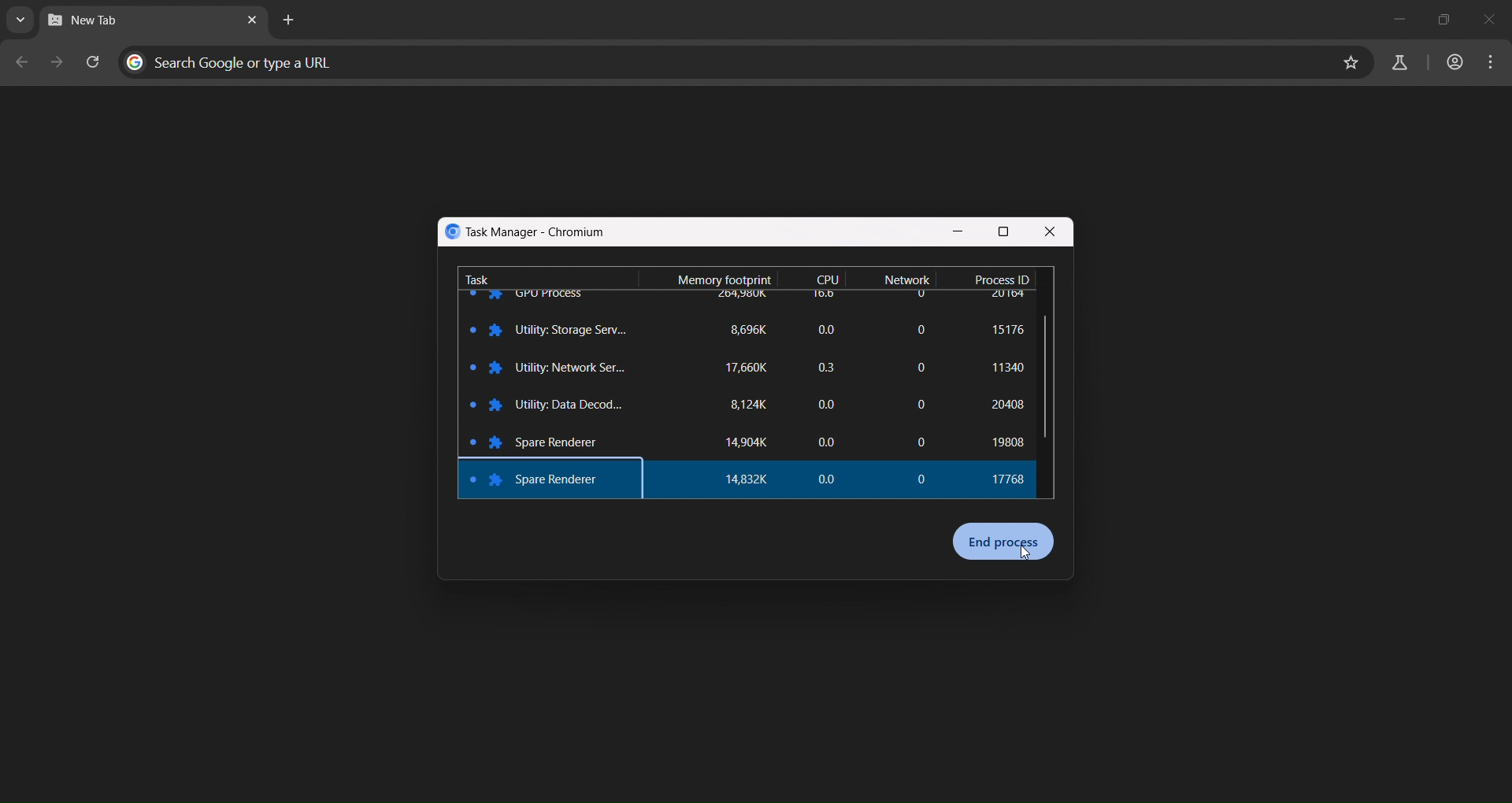  What do you see at coordinates (830, 327) in the screenshot?
I see `no` at bounding box center [830, 327].